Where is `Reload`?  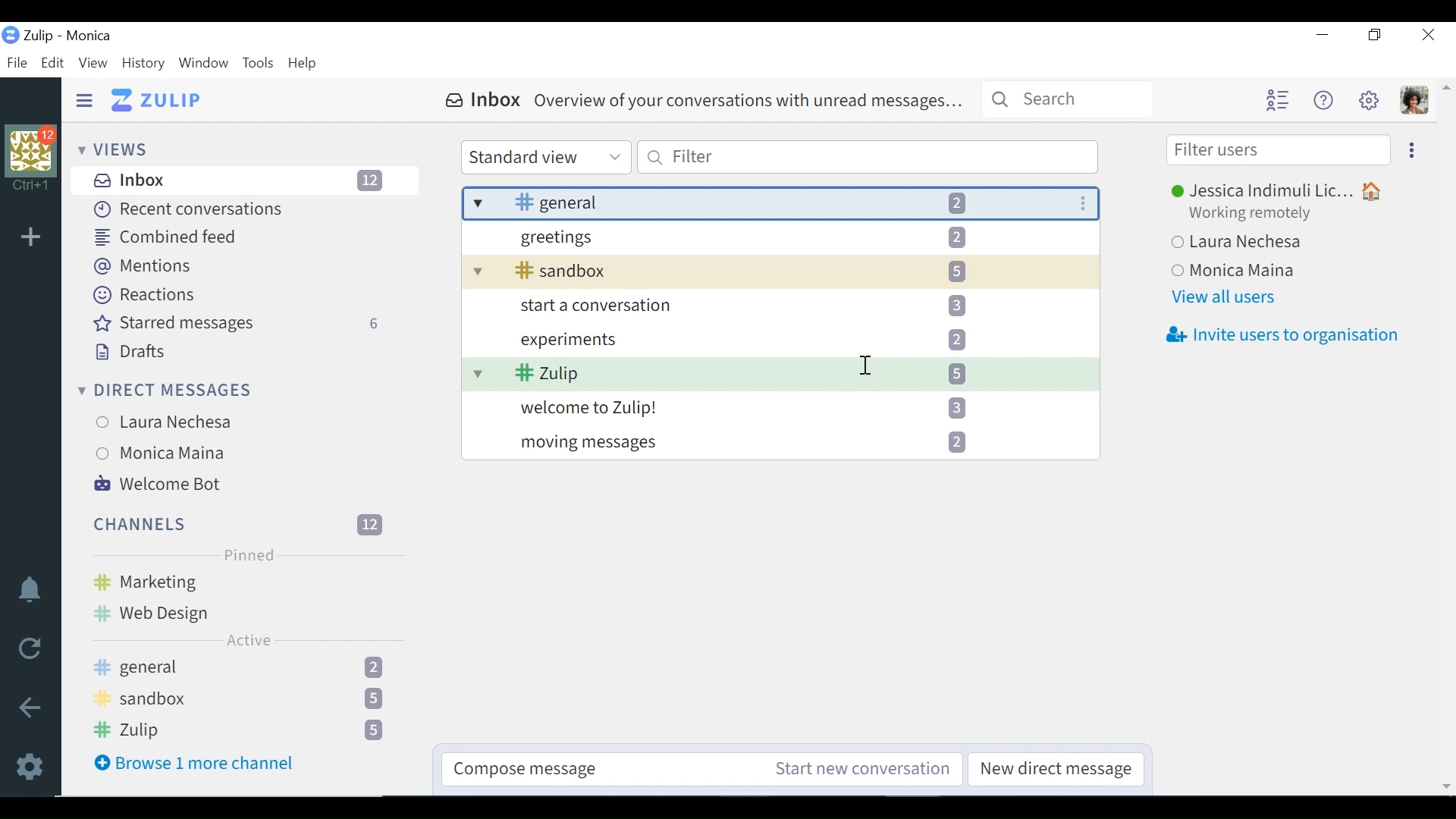
Reload is located at coordinates (25, 649).